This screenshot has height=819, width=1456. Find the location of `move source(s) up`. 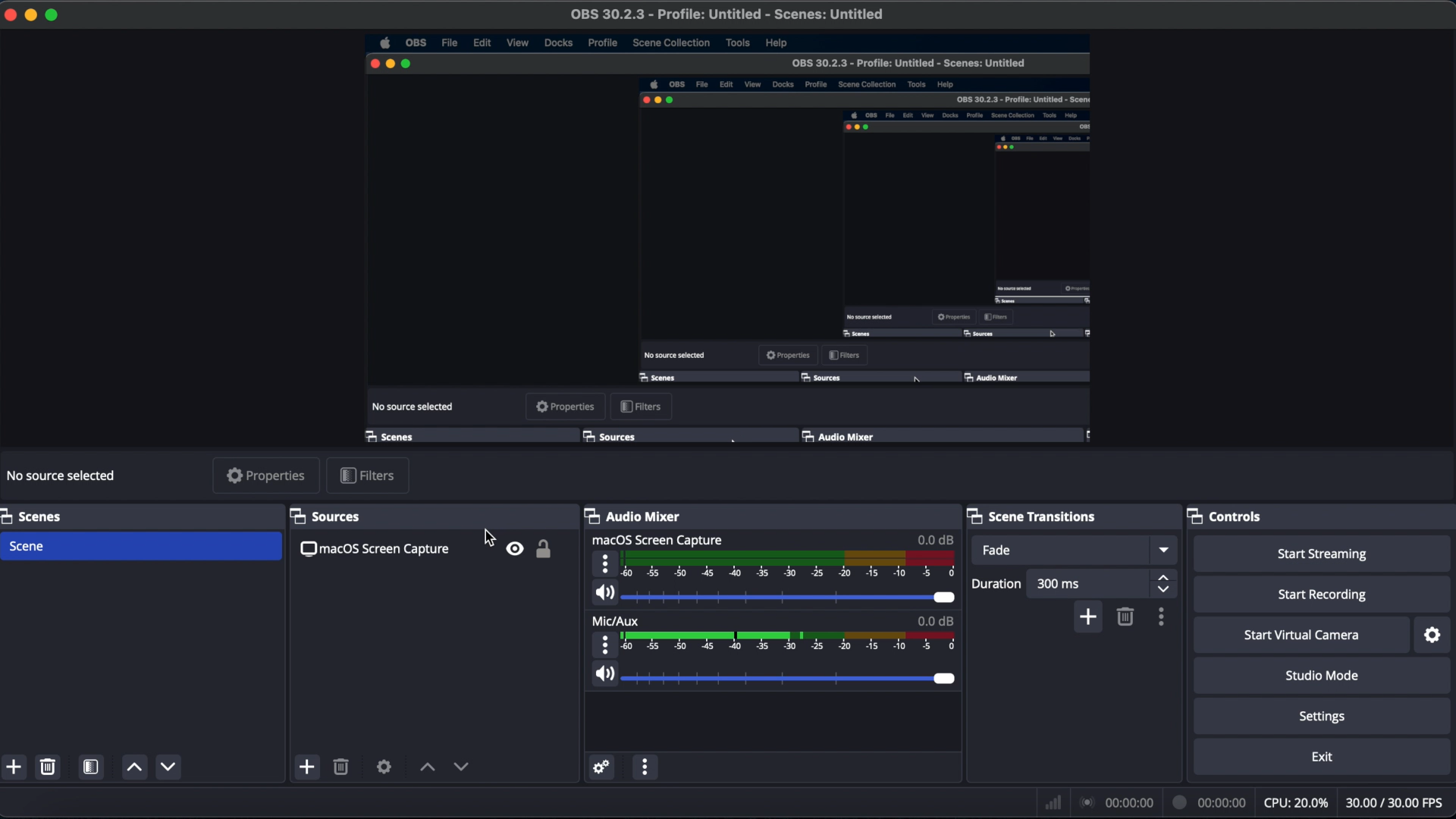

move source(s) up is located at coordinates (462, 767).